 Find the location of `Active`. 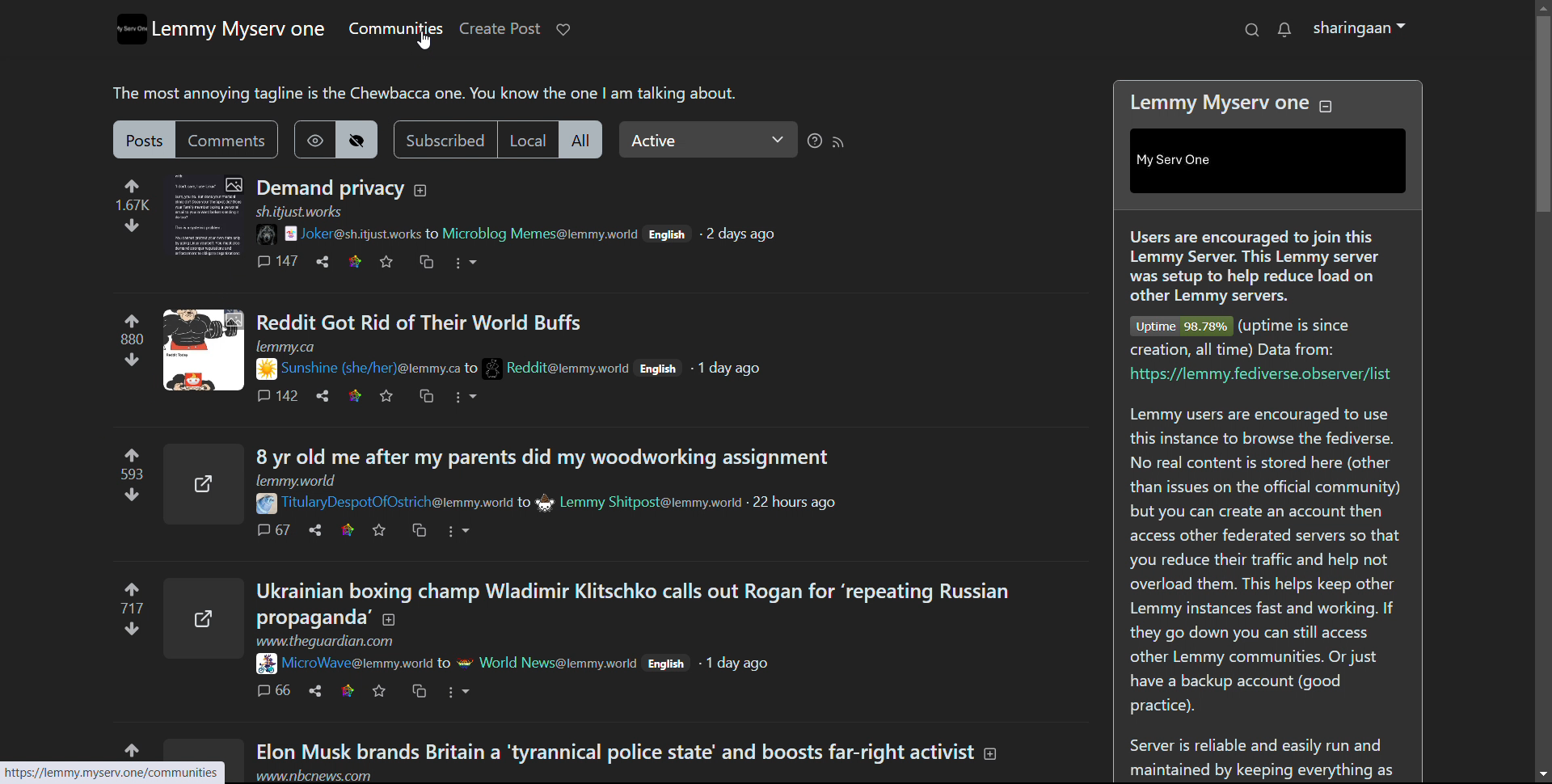

Active is located at coordinates (708, 139).